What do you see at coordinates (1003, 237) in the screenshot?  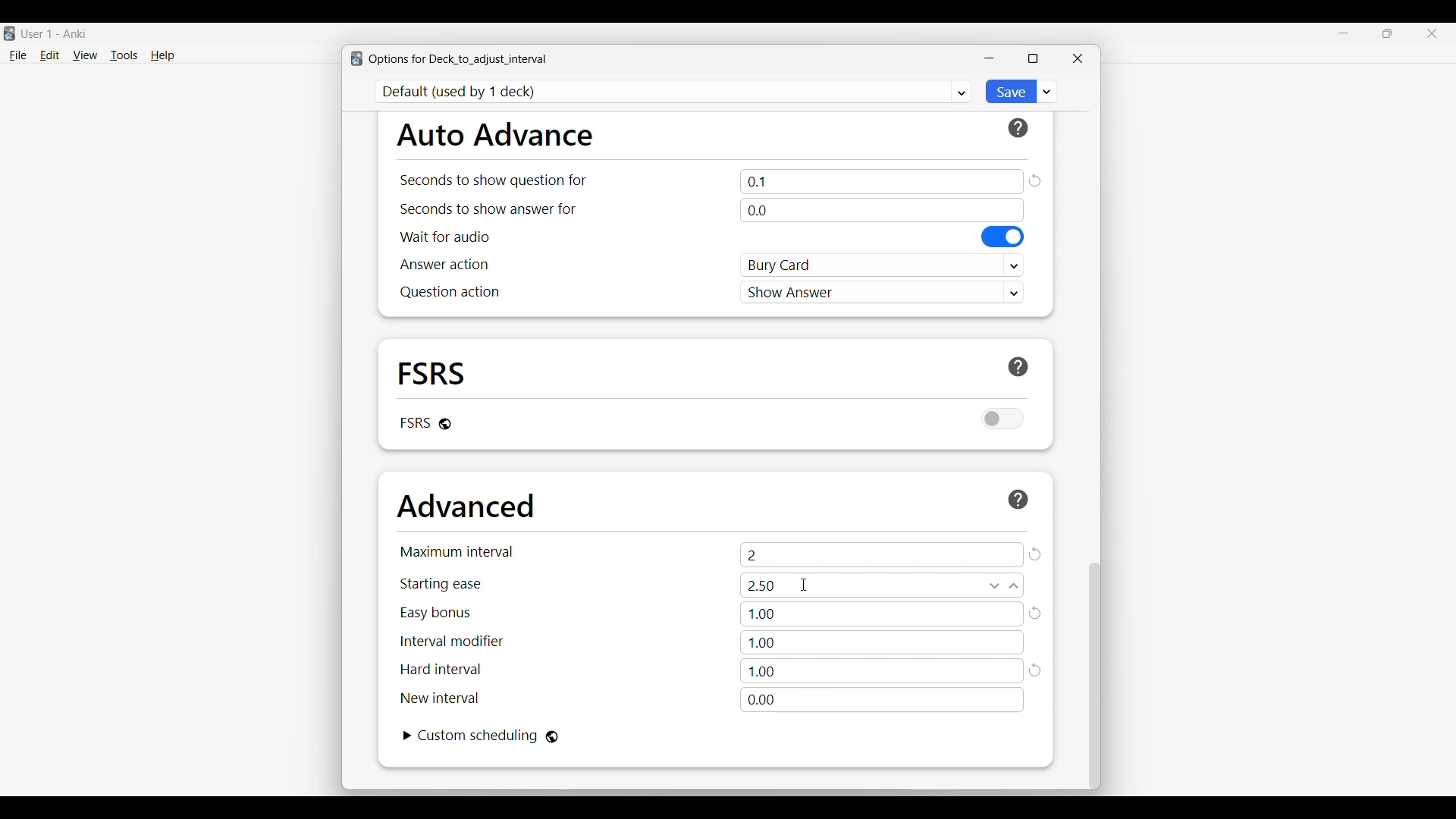 I see `Toggle to wait for audio` at bounding box center [1003, 237].